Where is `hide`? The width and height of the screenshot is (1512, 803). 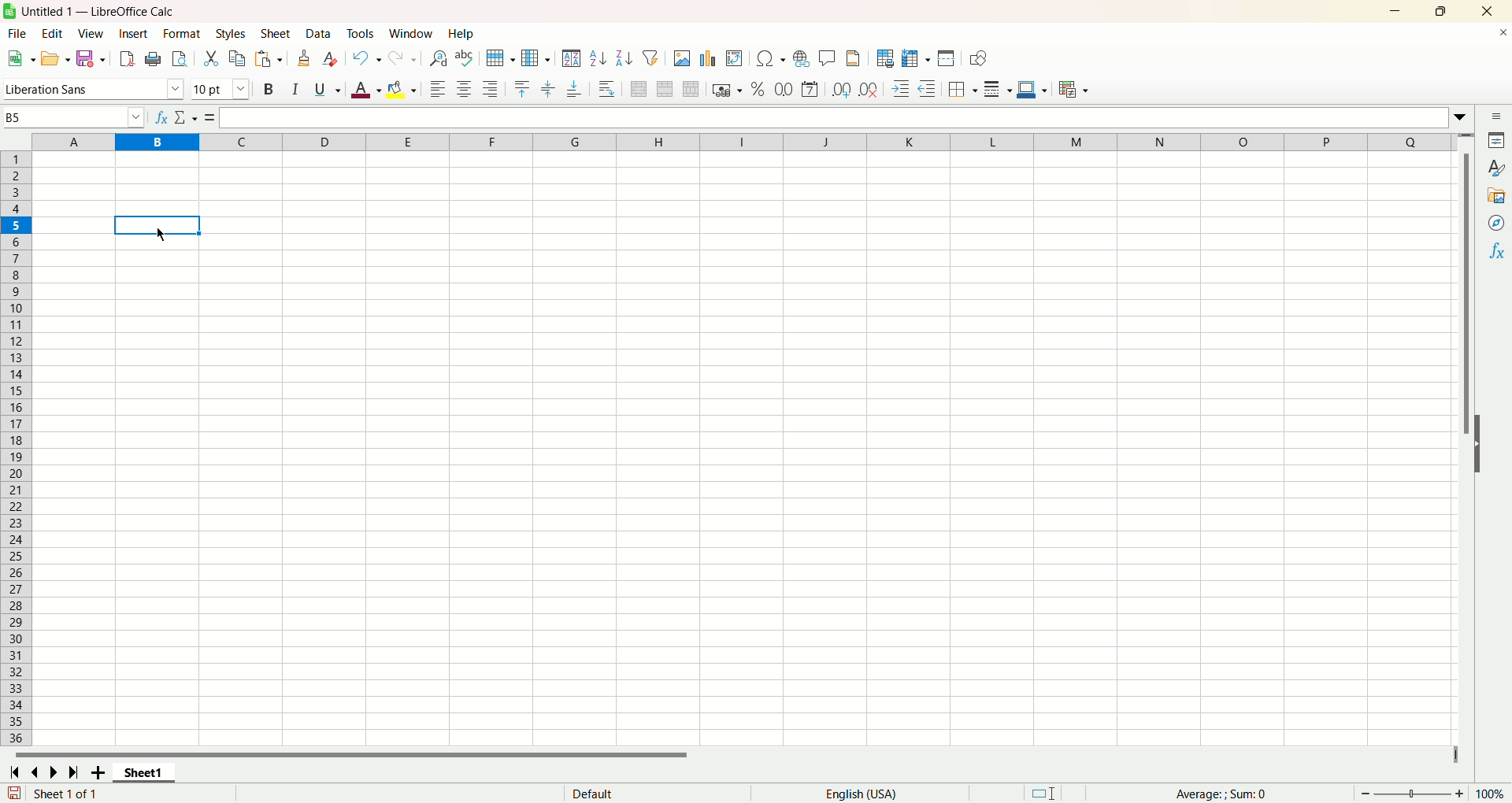
hide is located at coordinates (1482, 442).